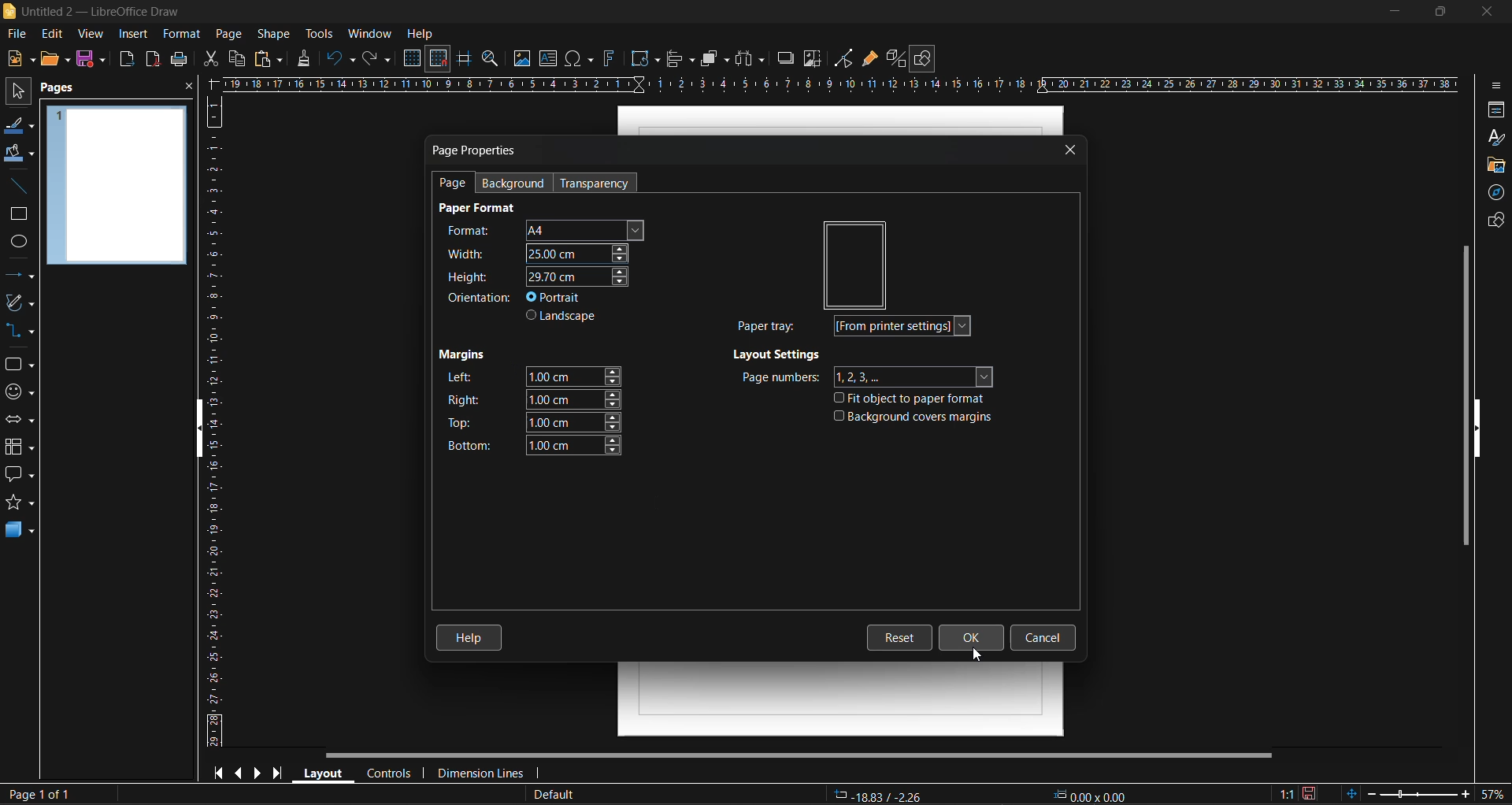  What do you see at coordinates (532, 376) in the screenshot?
I see `left` at bounding box center [532, 376].